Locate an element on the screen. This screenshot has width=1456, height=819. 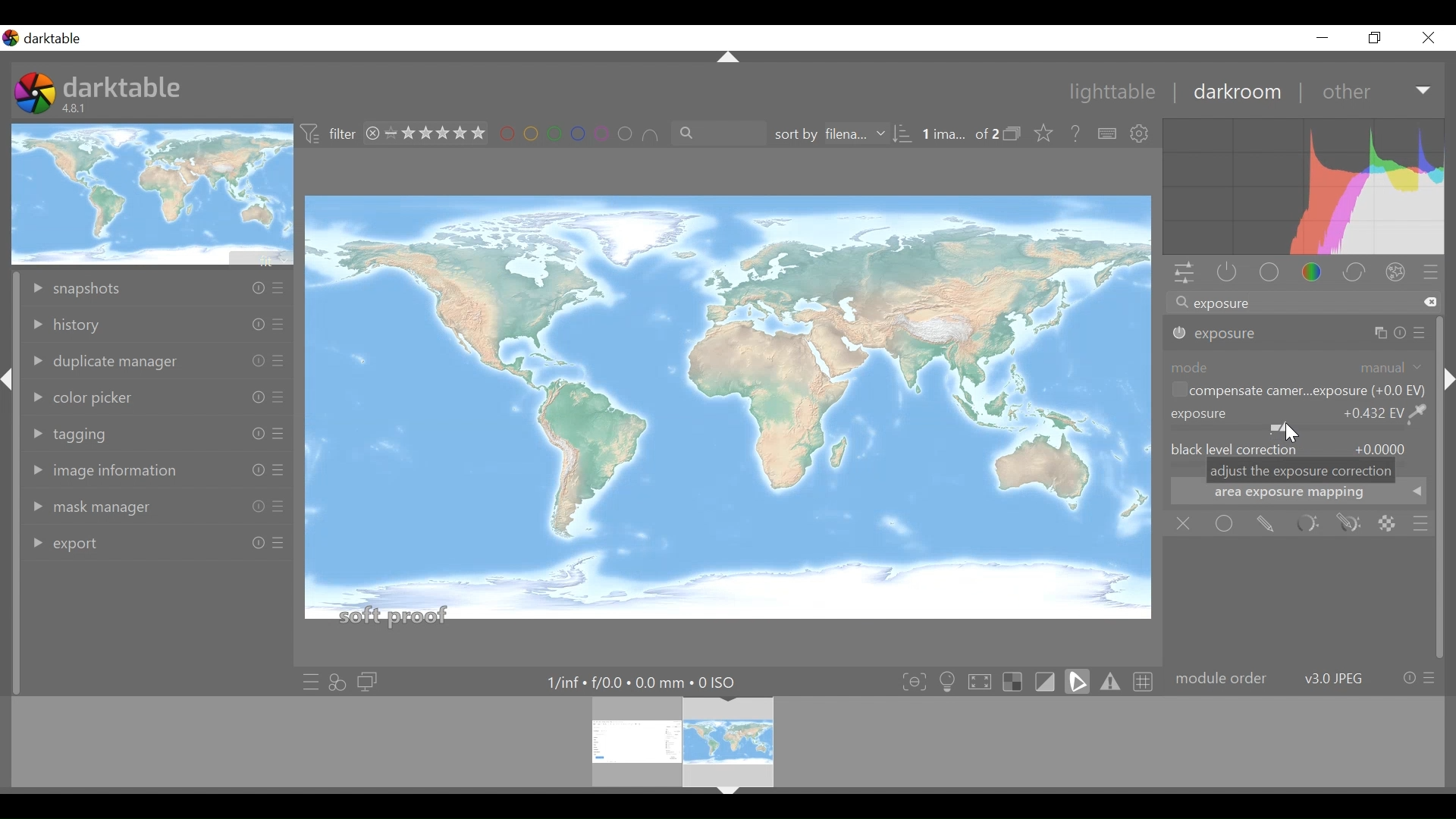
display a second darkroom image is located at coordinates (370, 682).